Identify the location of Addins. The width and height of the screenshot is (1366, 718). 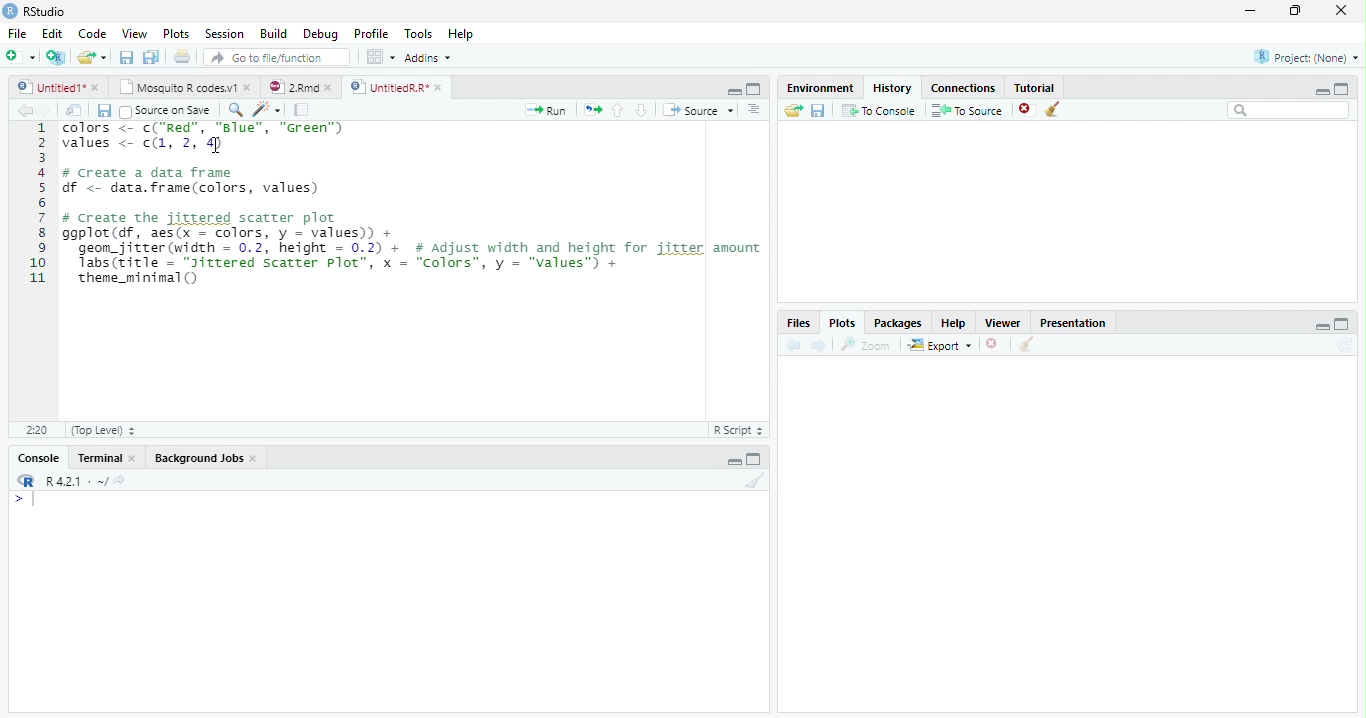
(428, 58).